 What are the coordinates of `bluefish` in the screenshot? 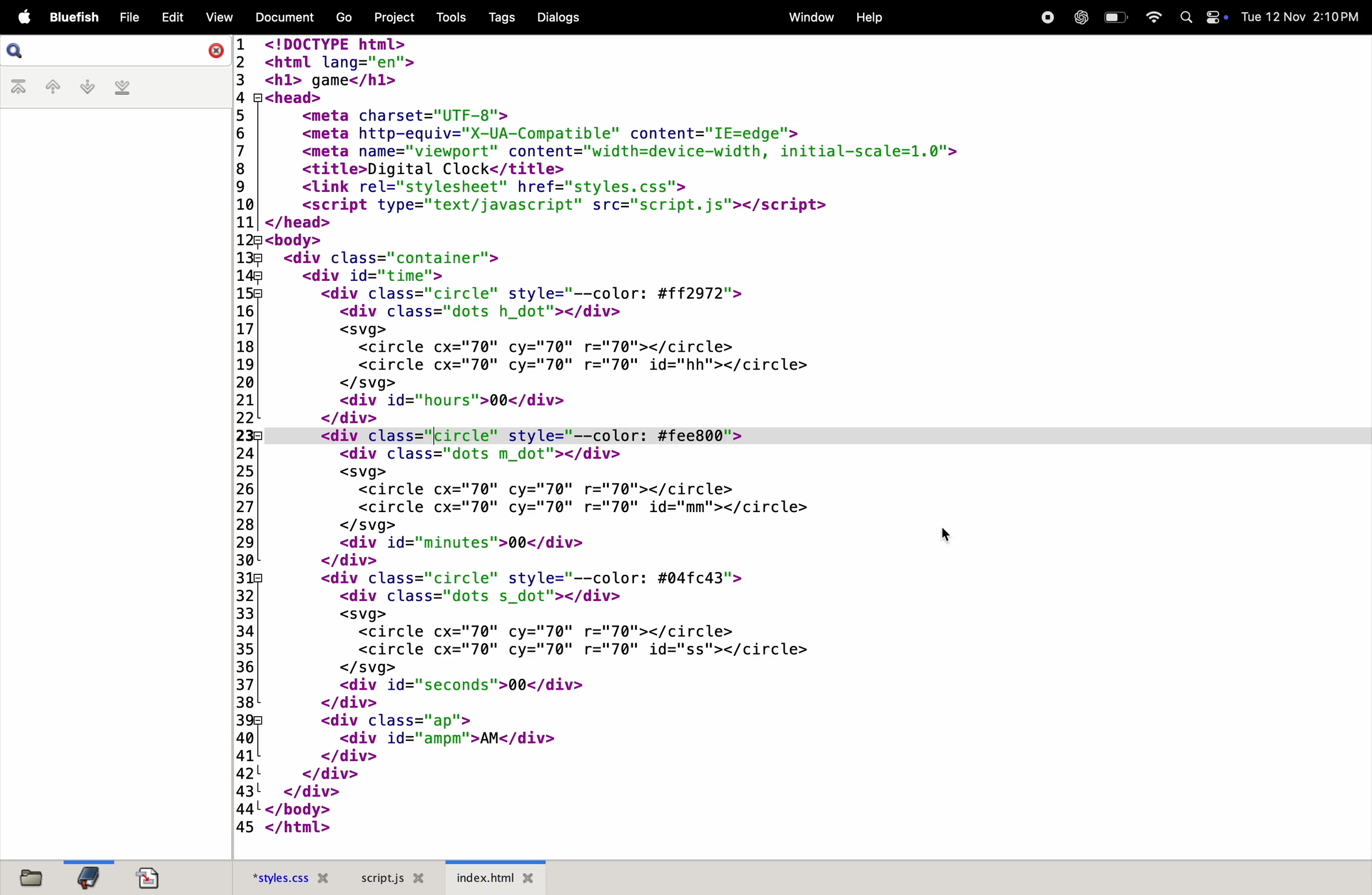 It's located at (74, 18).